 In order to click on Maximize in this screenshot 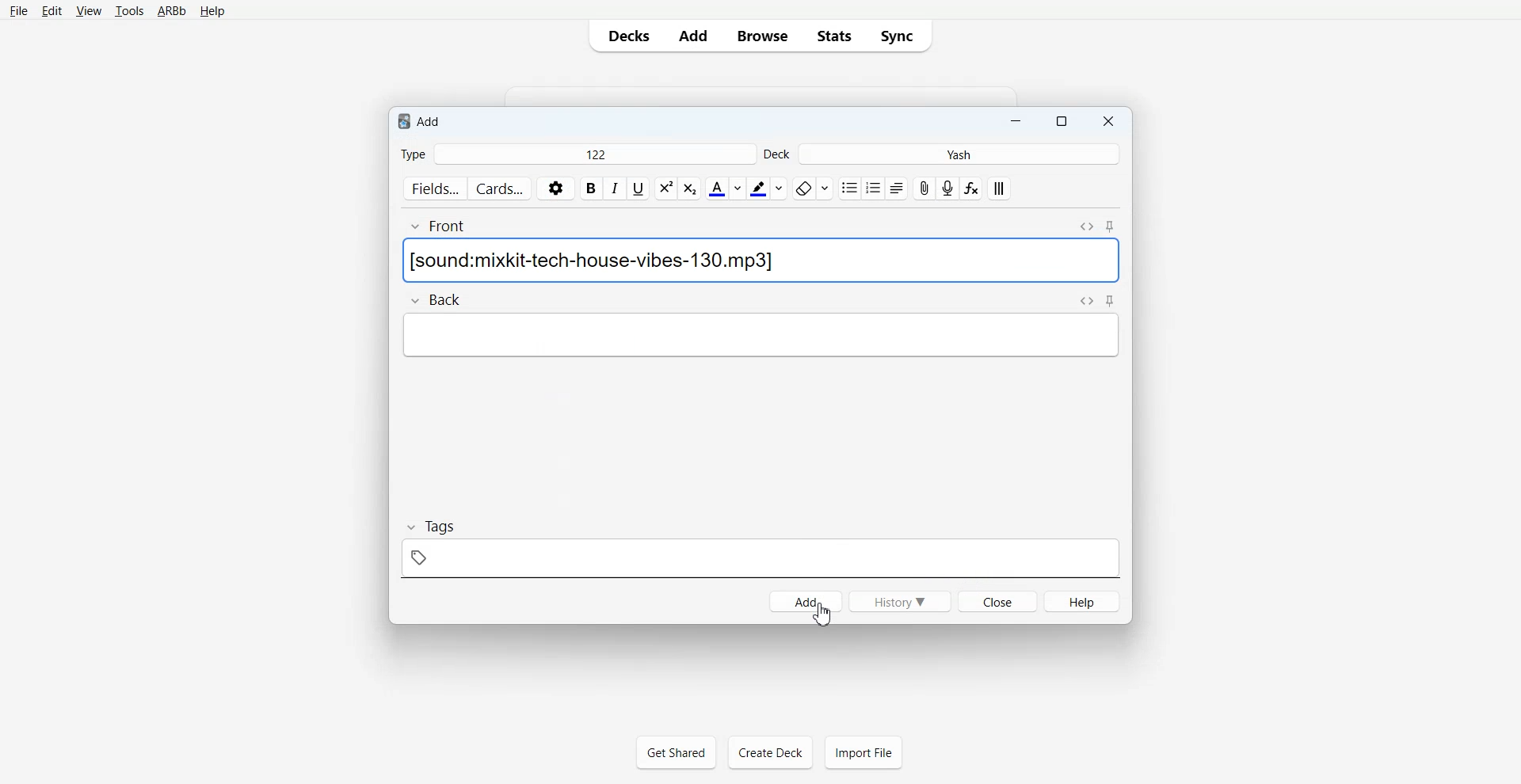, I will do `click(1061, 122)`.